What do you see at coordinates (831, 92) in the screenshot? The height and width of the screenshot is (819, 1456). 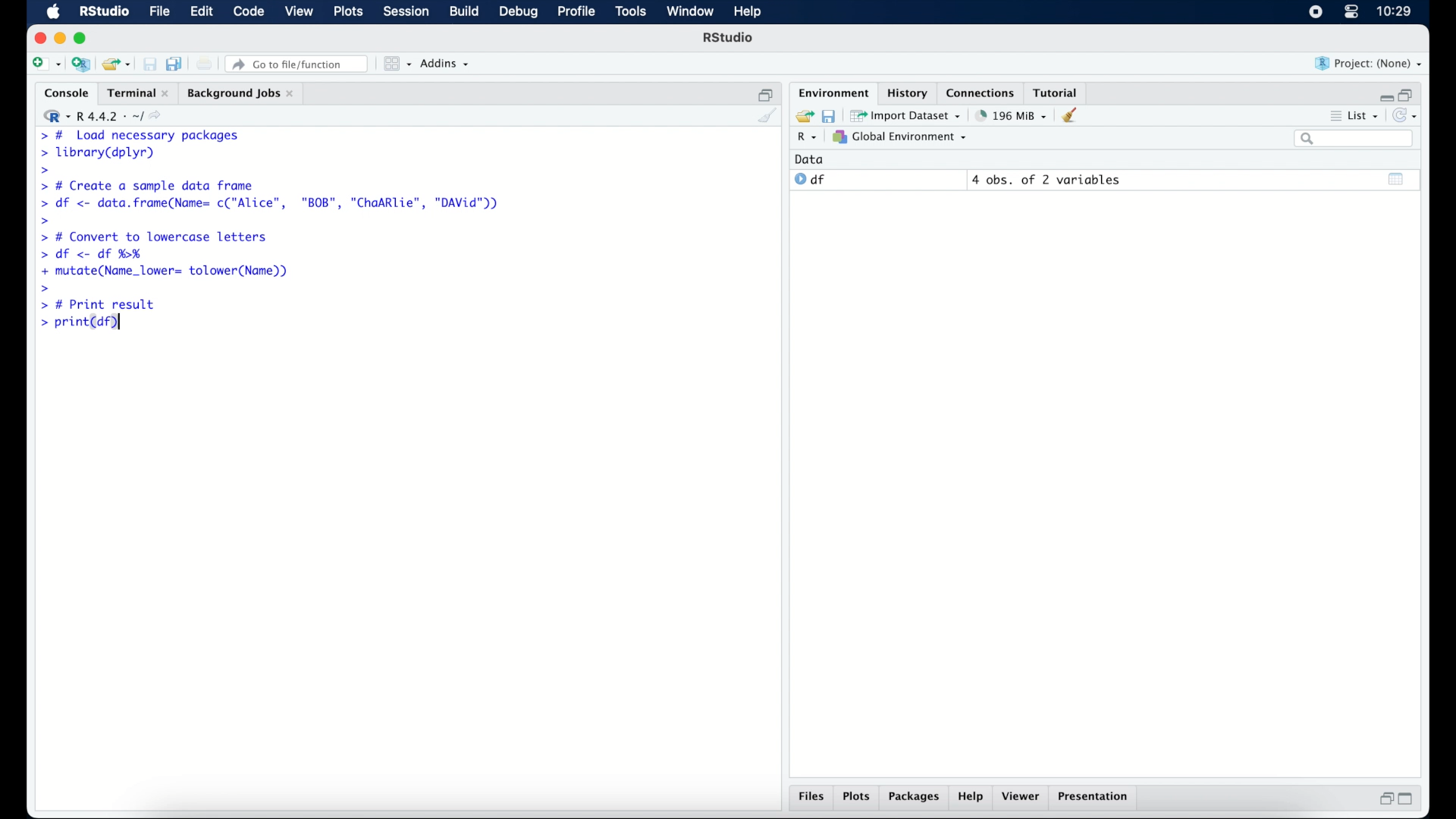 I see `environment` at bounding box center [831, 92].